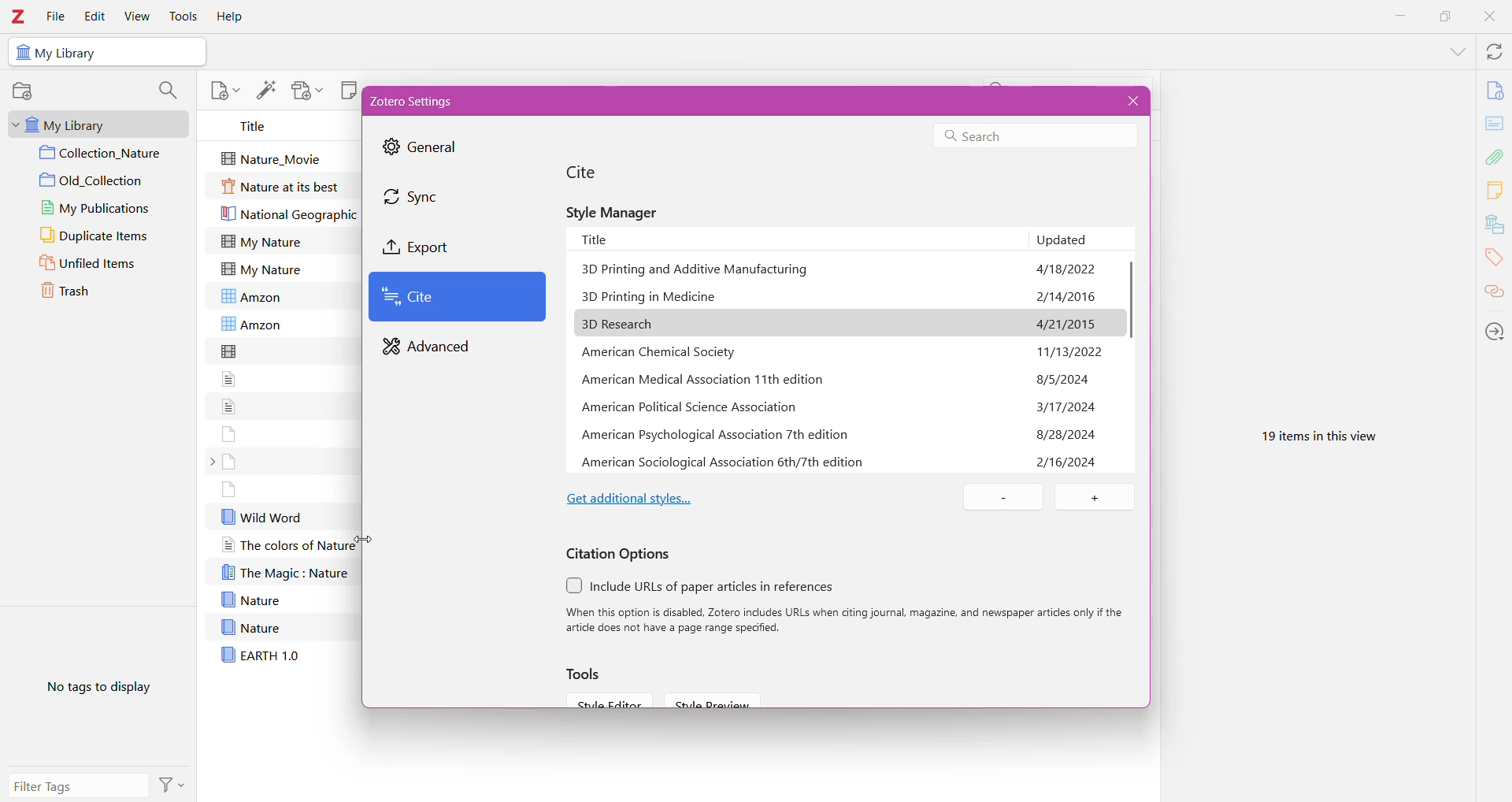 The height and width of the screenshot is (802, 1512). Describe the element at coordinates (229, 405) in the screenshot. I see `file without title` at that location.